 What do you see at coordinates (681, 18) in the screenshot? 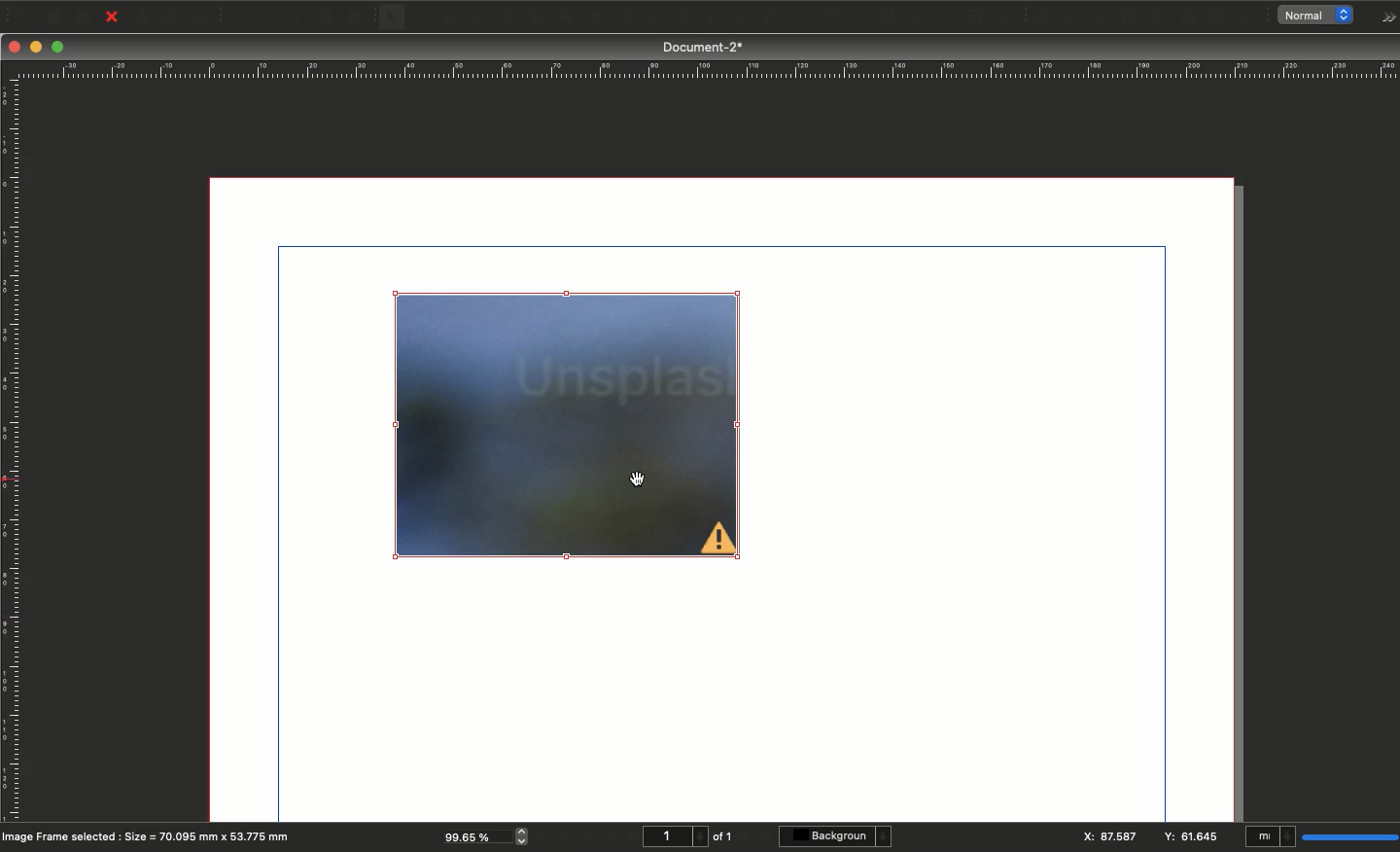
I see `Bézier curve` at bounding box center [681, 18].